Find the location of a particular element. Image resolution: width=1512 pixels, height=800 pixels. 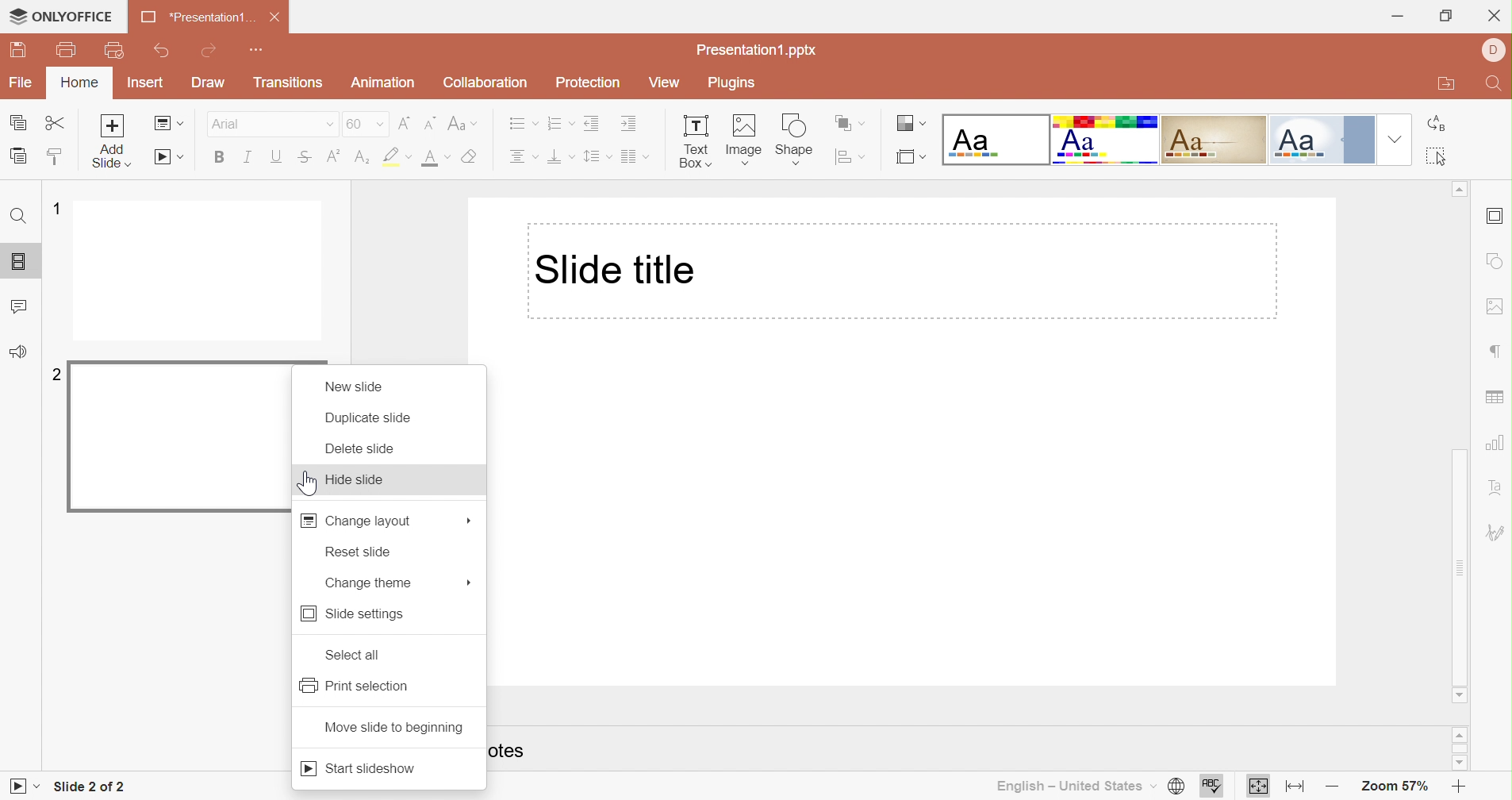

Print selection is located at coordinates (359, 687).